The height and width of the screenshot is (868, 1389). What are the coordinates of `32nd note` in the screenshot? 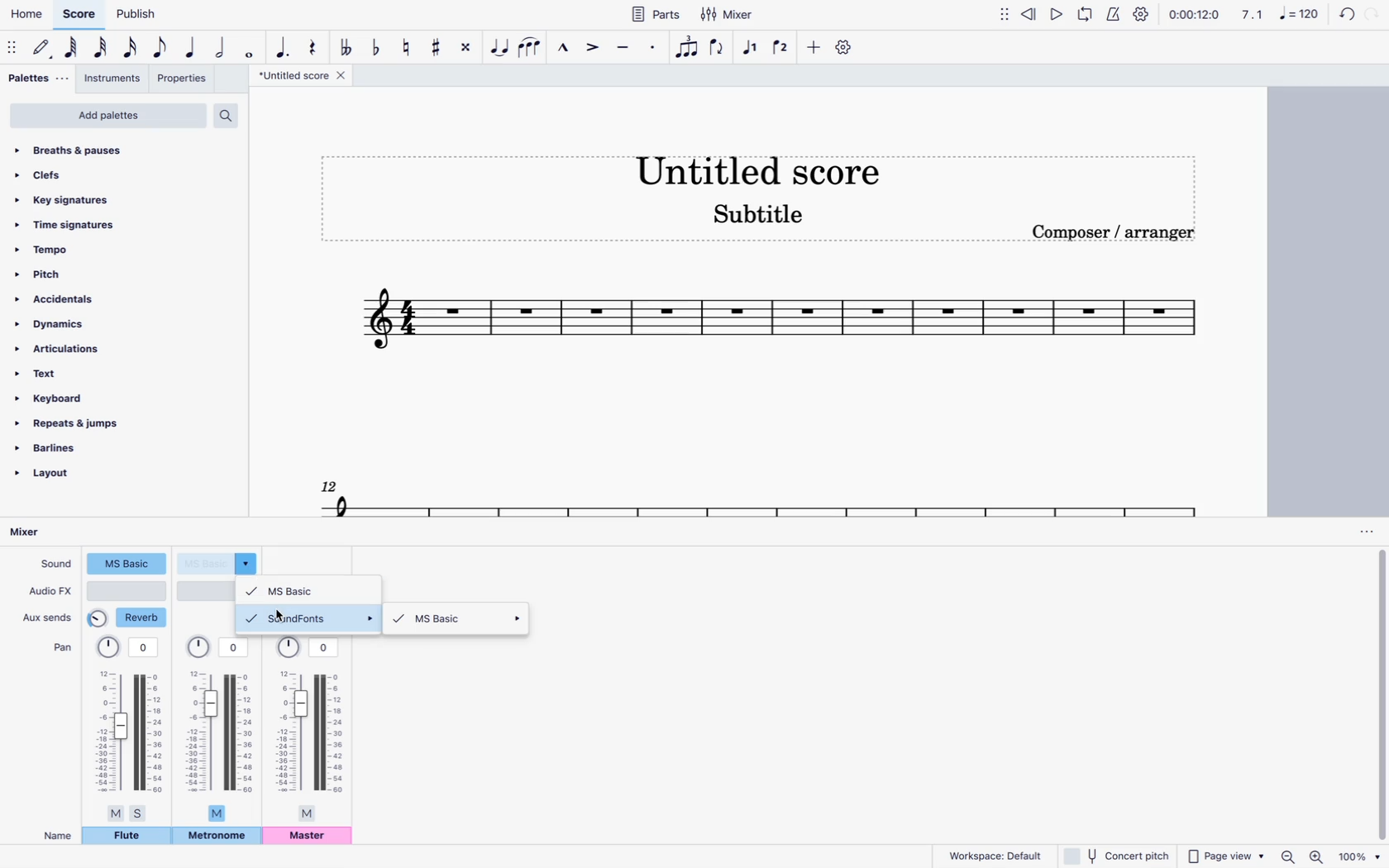 It's located at (103, 49).